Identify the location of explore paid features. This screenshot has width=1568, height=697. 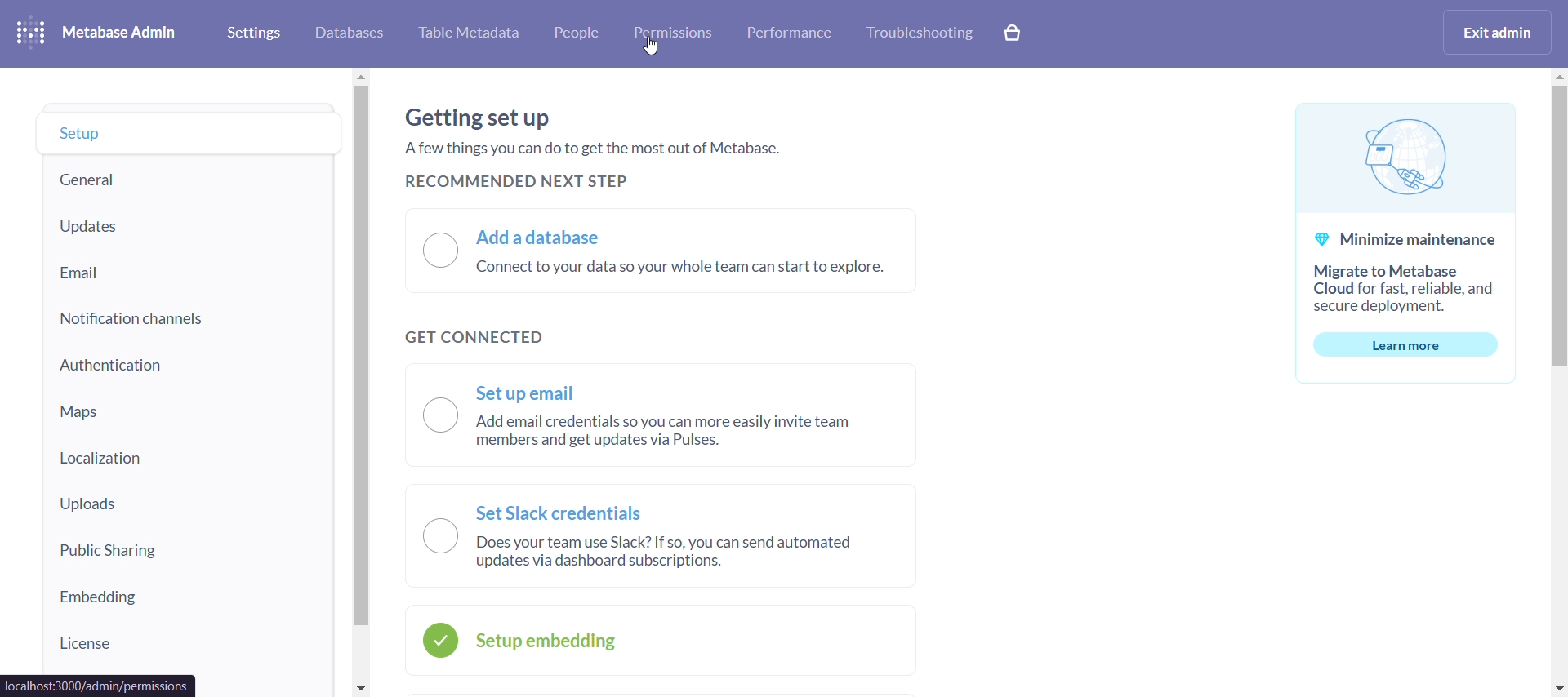
(1014, 35).